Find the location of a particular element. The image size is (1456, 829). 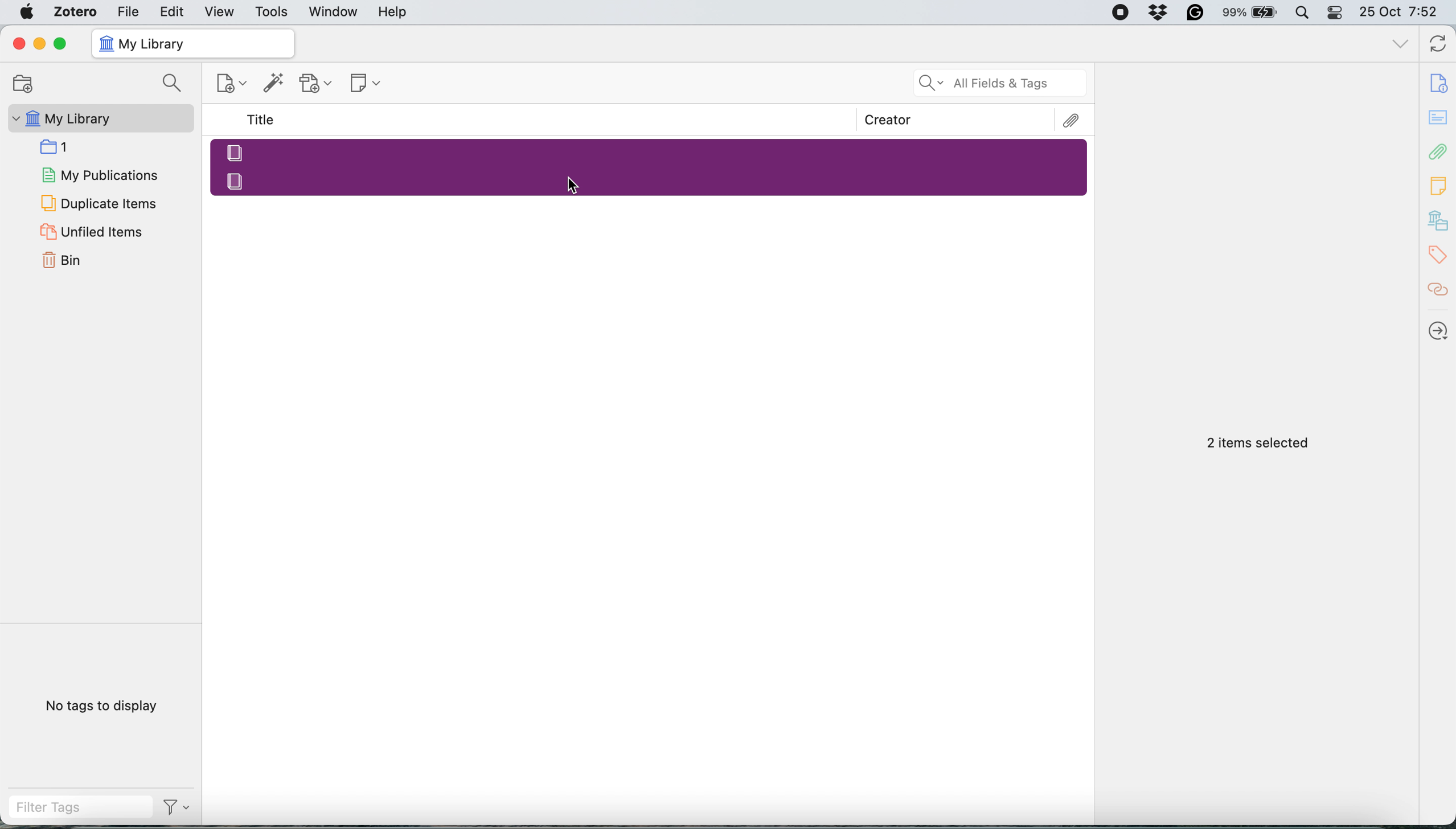

Unfiled Items is located at coordinates (94, 231).